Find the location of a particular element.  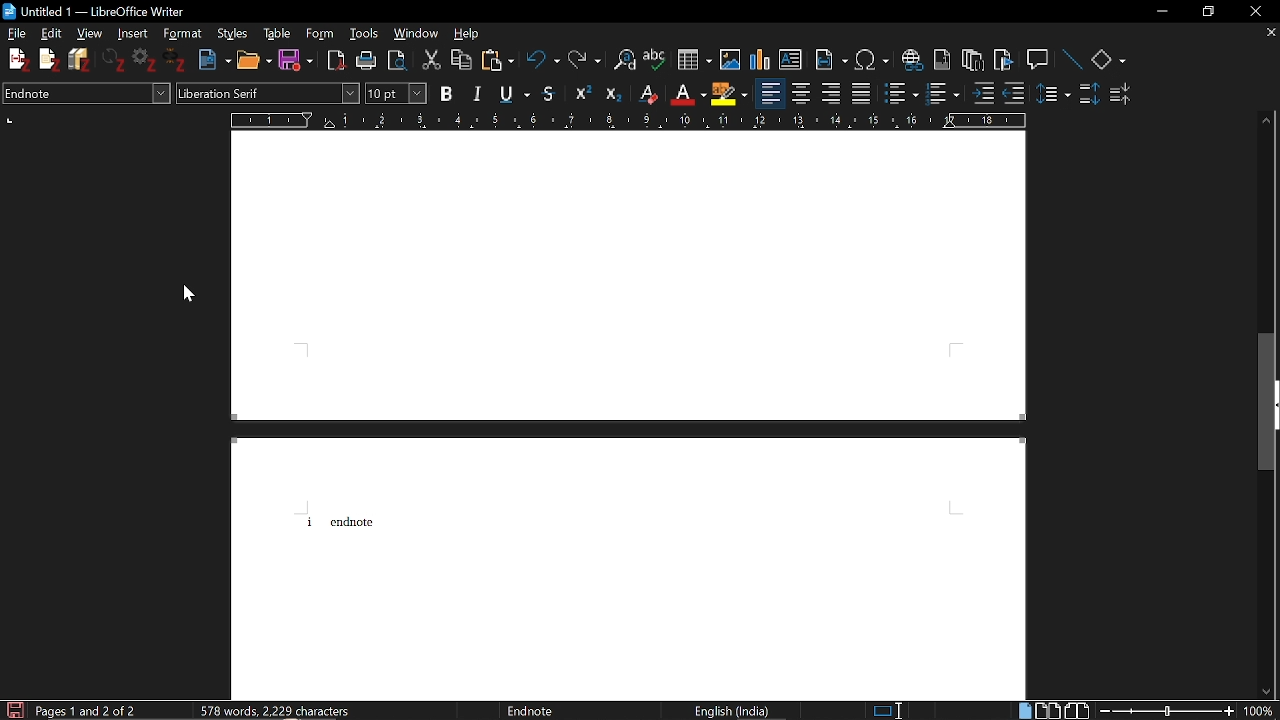

Unlink document is located at coordinates (174, 61).